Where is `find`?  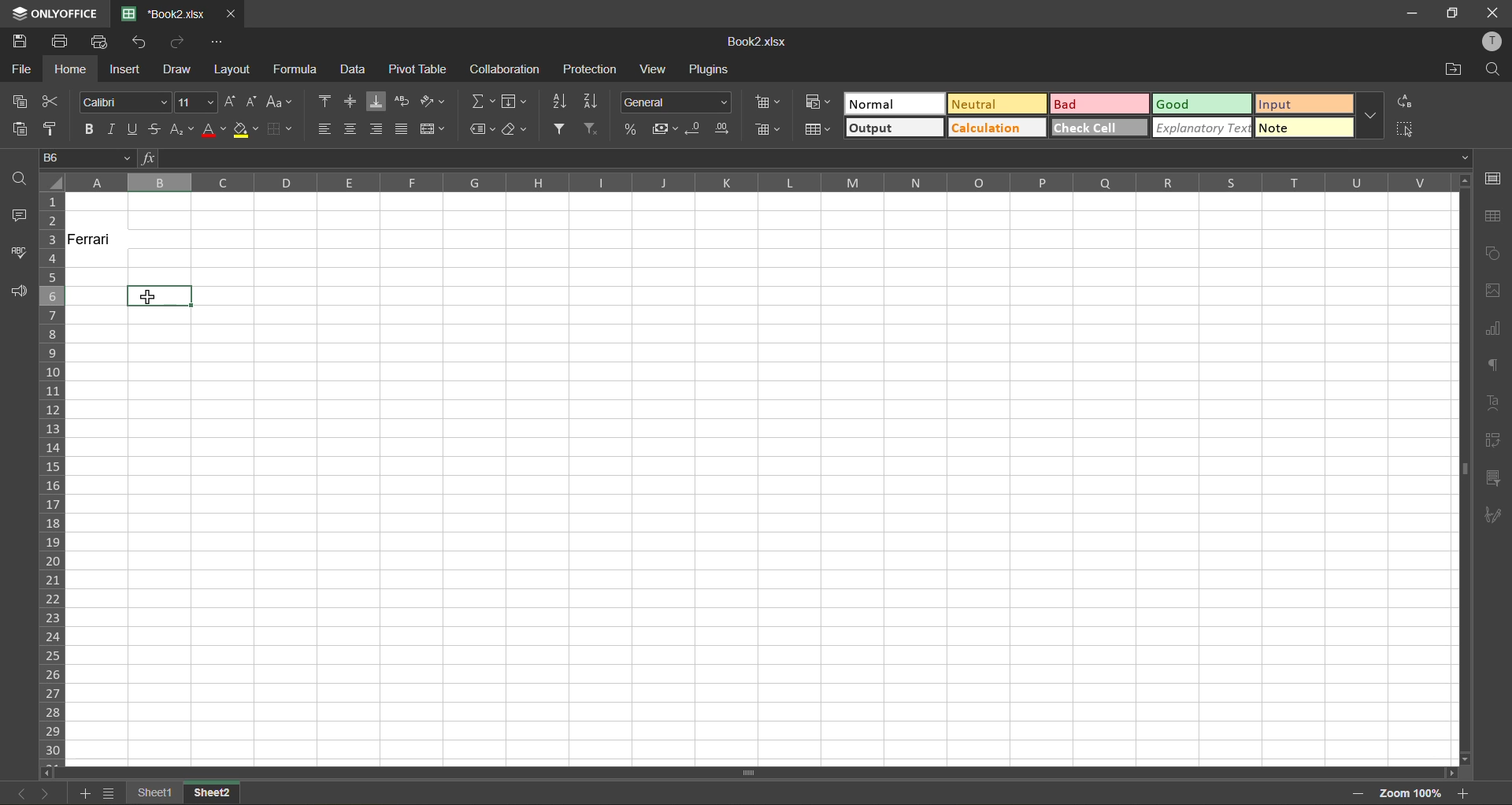 find is located at coordinates (18, 177).